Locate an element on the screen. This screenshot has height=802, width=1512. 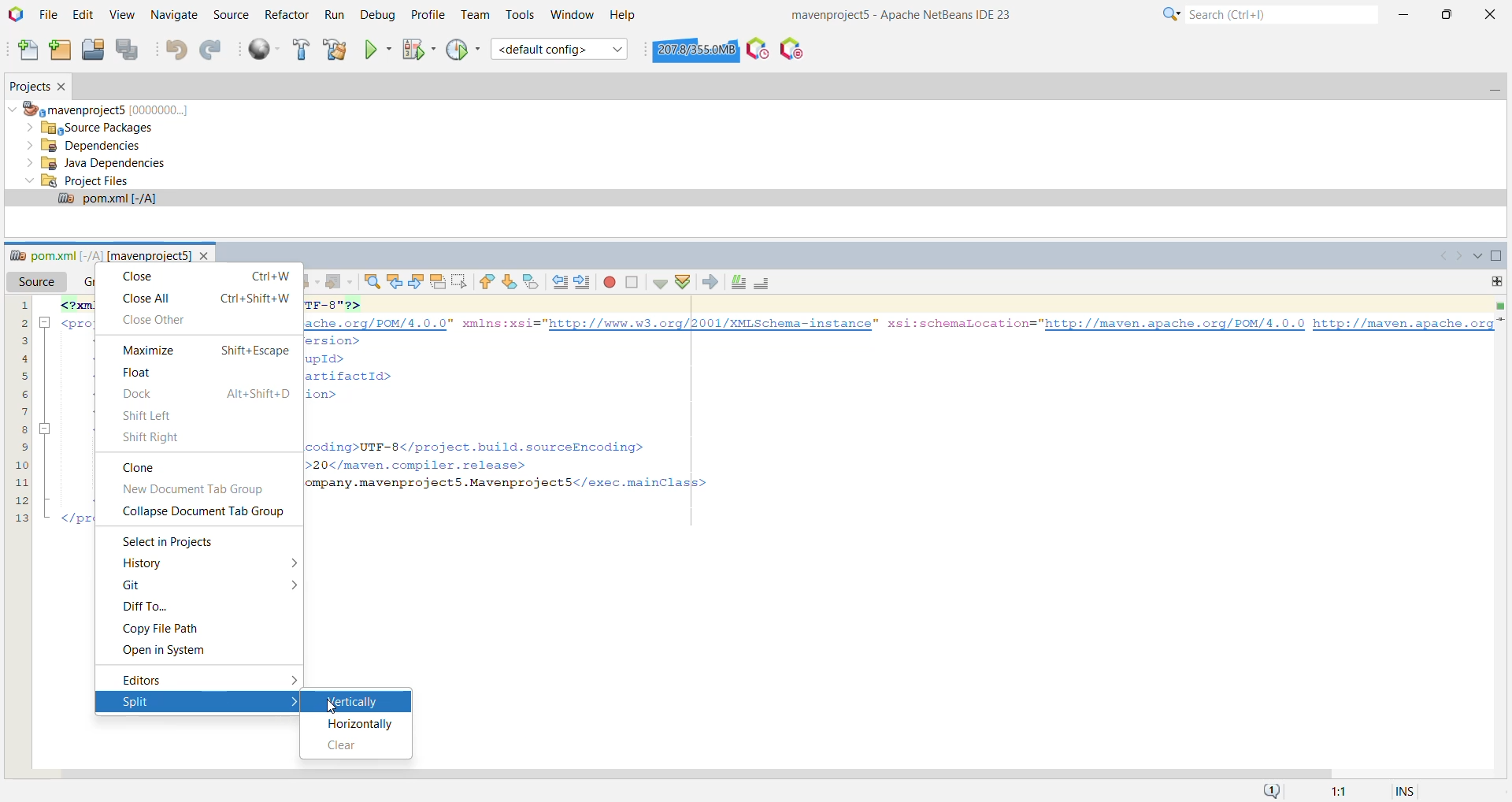
Application Name is located at coordinates (910, 13).